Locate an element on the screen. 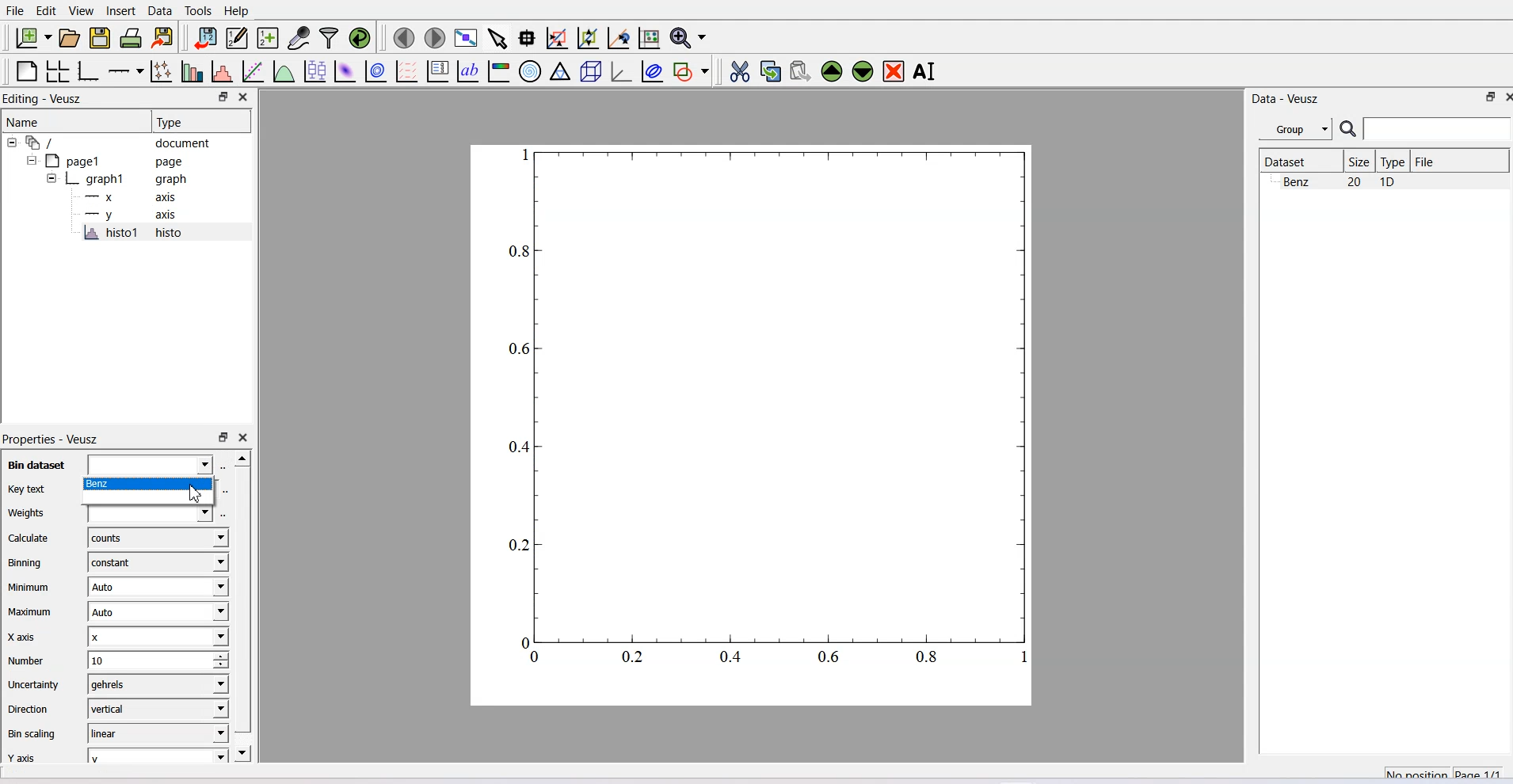 This screenshot has width=1513, height=784. New Document is located at coordinates (32, 37).